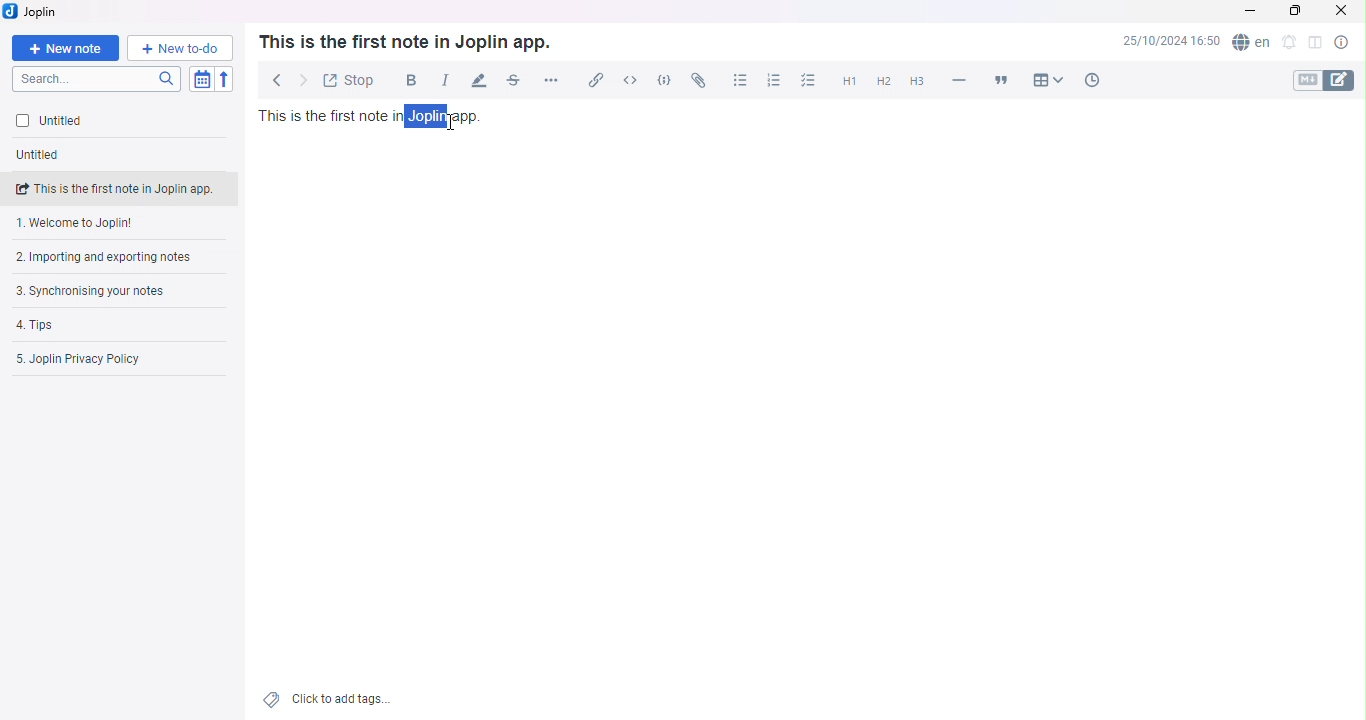 The width and height of the screenshot is (1366, 720). I want to click on Tips, so click(94, 325).